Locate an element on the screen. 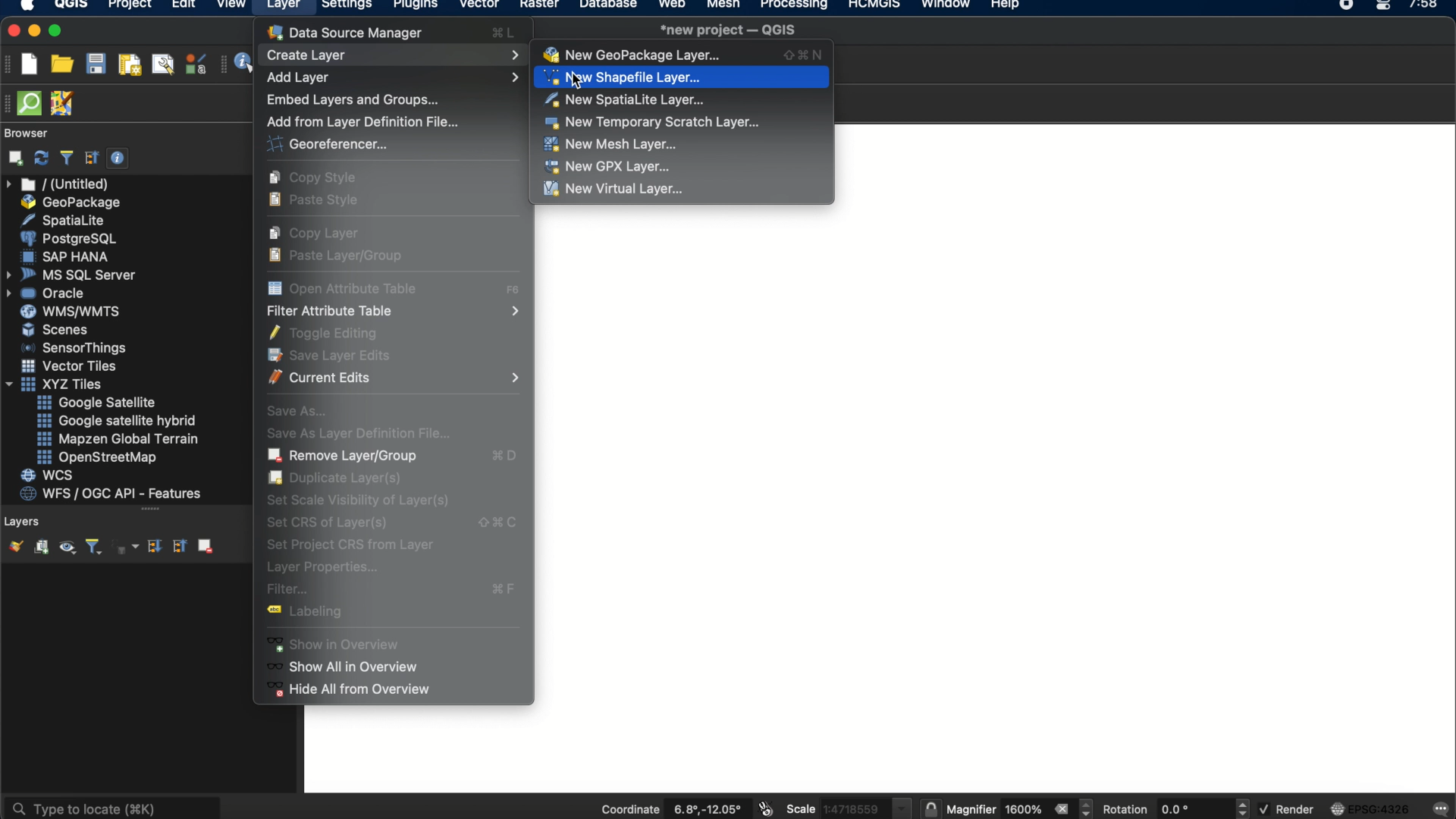 This screenshot has width=1456, height=819. filter browser is located at coordinates (66, 158).